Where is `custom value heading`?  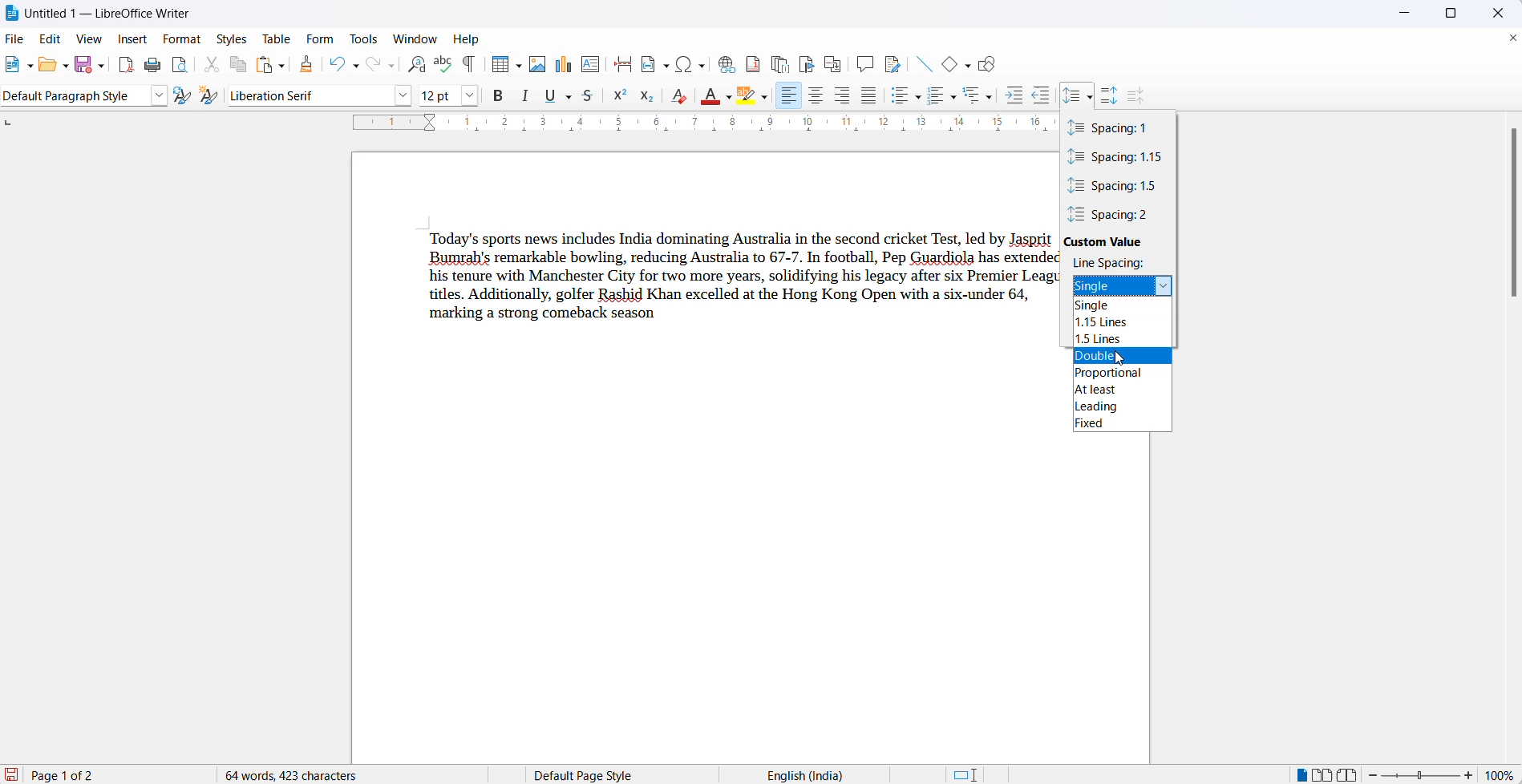 custom value heading is located at coordinates (1111, 242).